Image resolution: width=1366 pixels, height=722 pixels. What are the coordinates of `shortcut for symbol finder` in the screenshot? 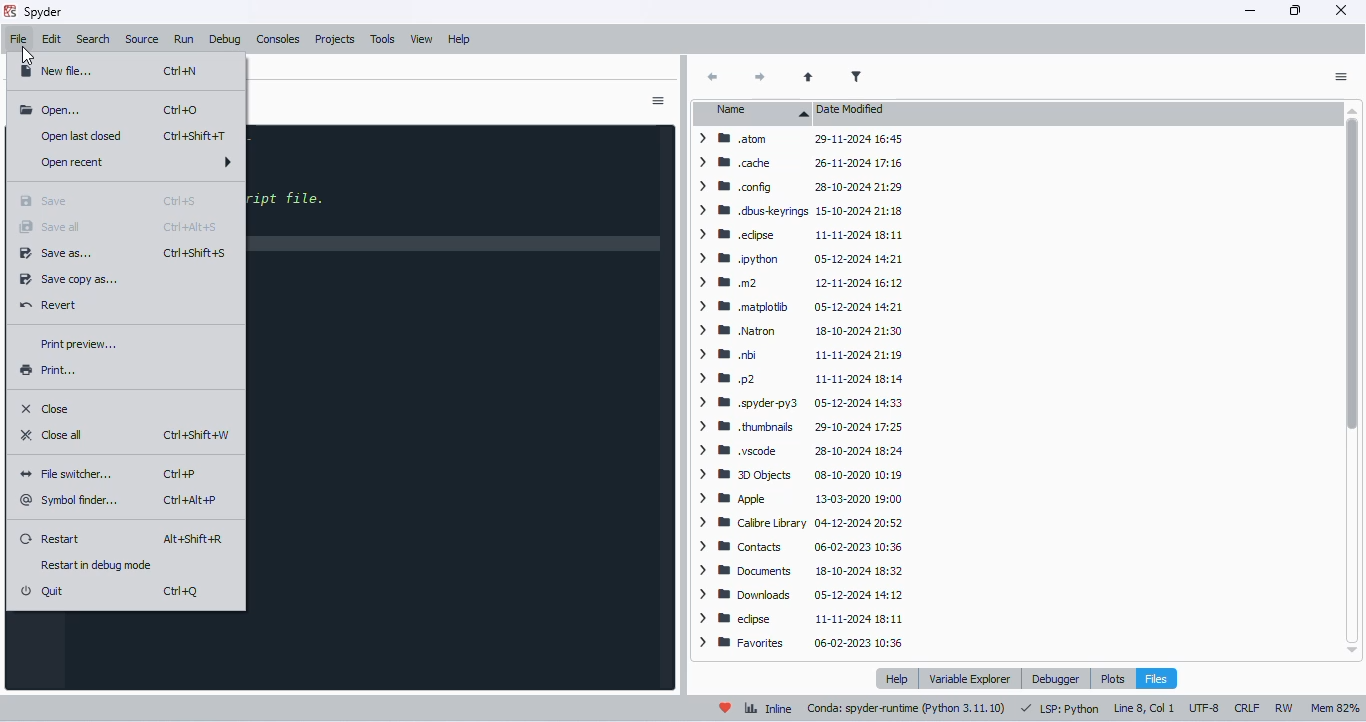 It's located at (192, 502).